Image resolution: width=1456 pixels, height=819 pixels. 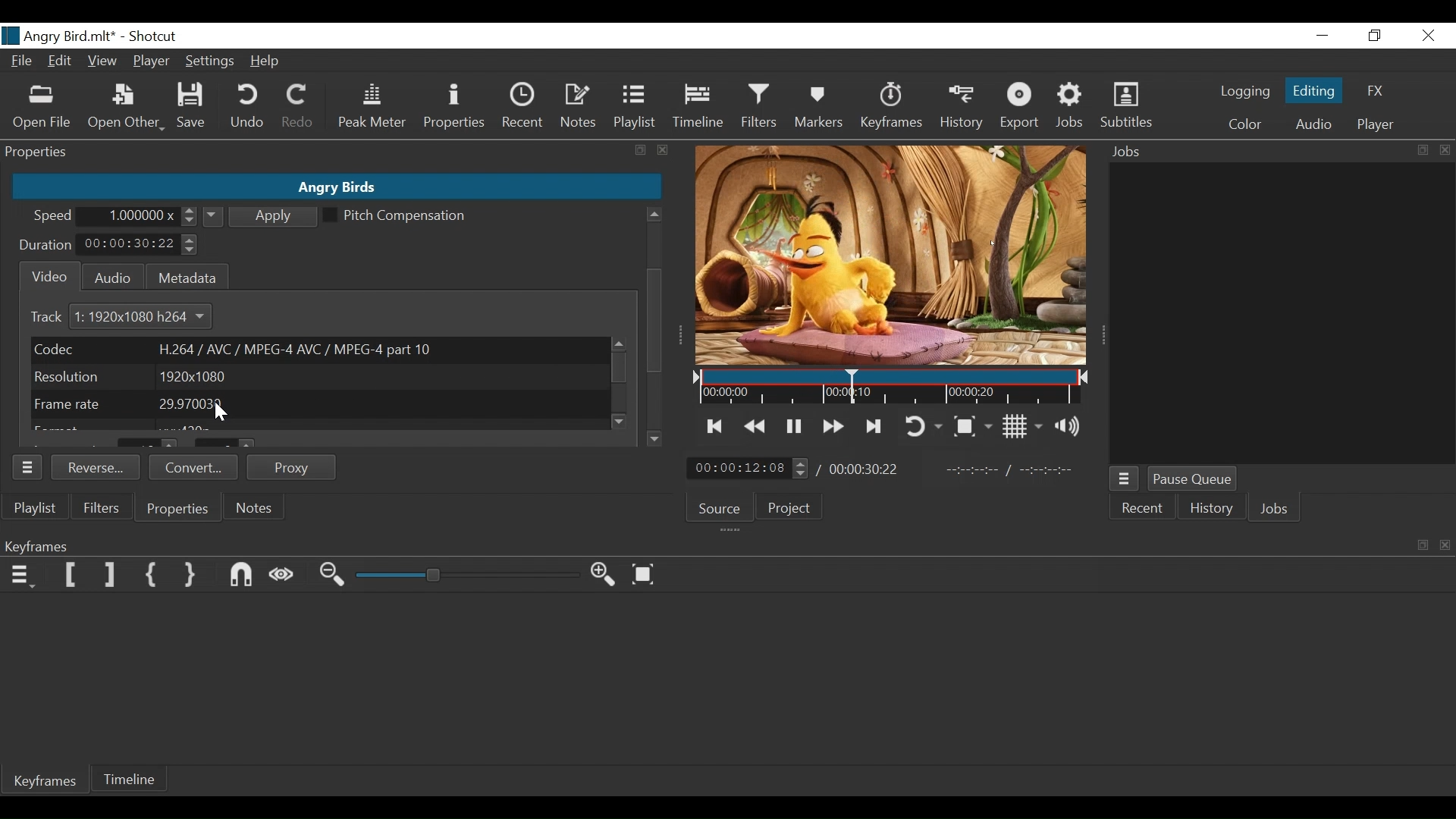 What do you see at coordinates (715, 427) in the screenshot?
I see `Skip to the previous point` at bounding box center [715, 427].